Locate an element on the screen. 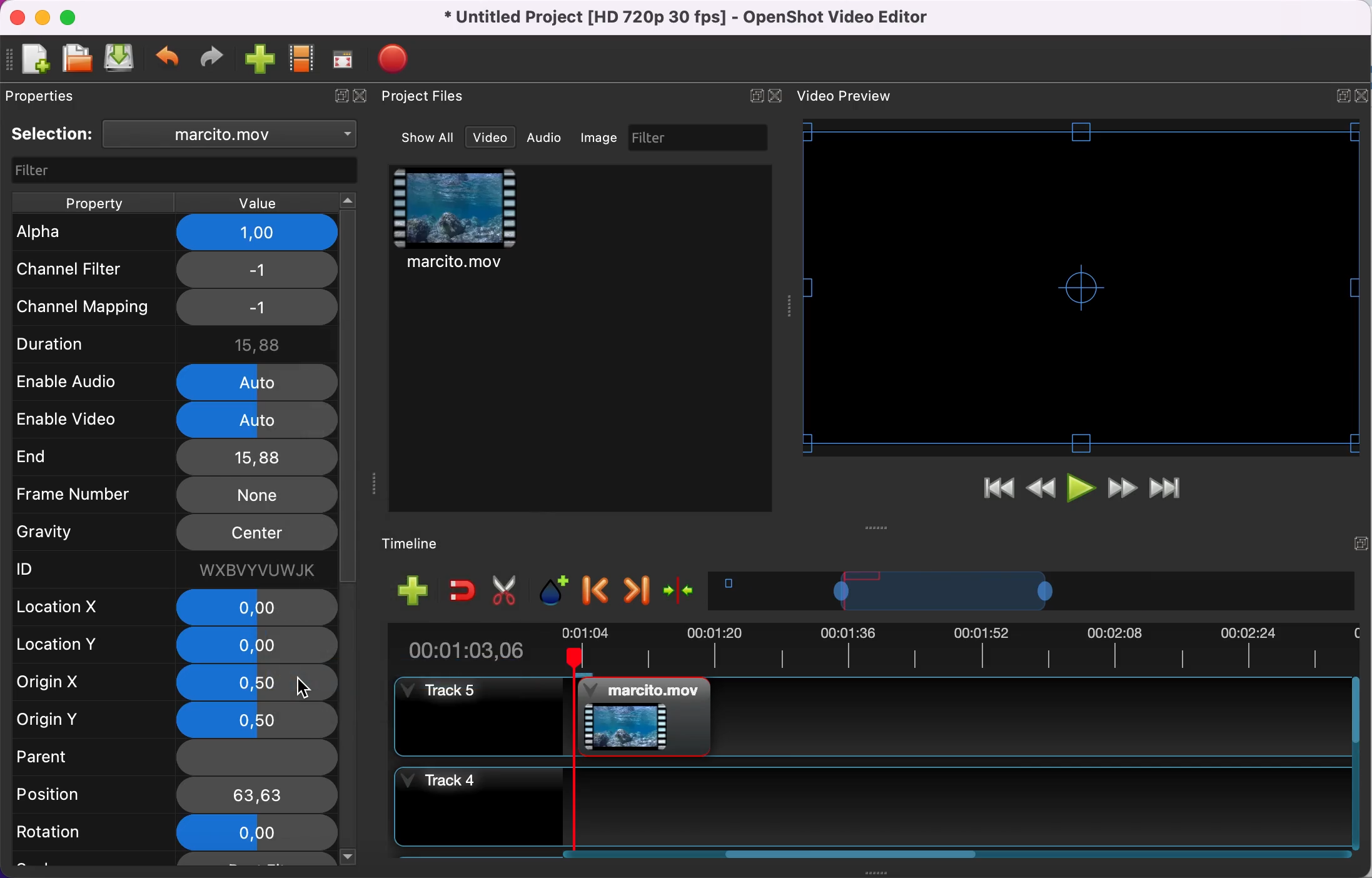  value is located at coordinates (255, 203).